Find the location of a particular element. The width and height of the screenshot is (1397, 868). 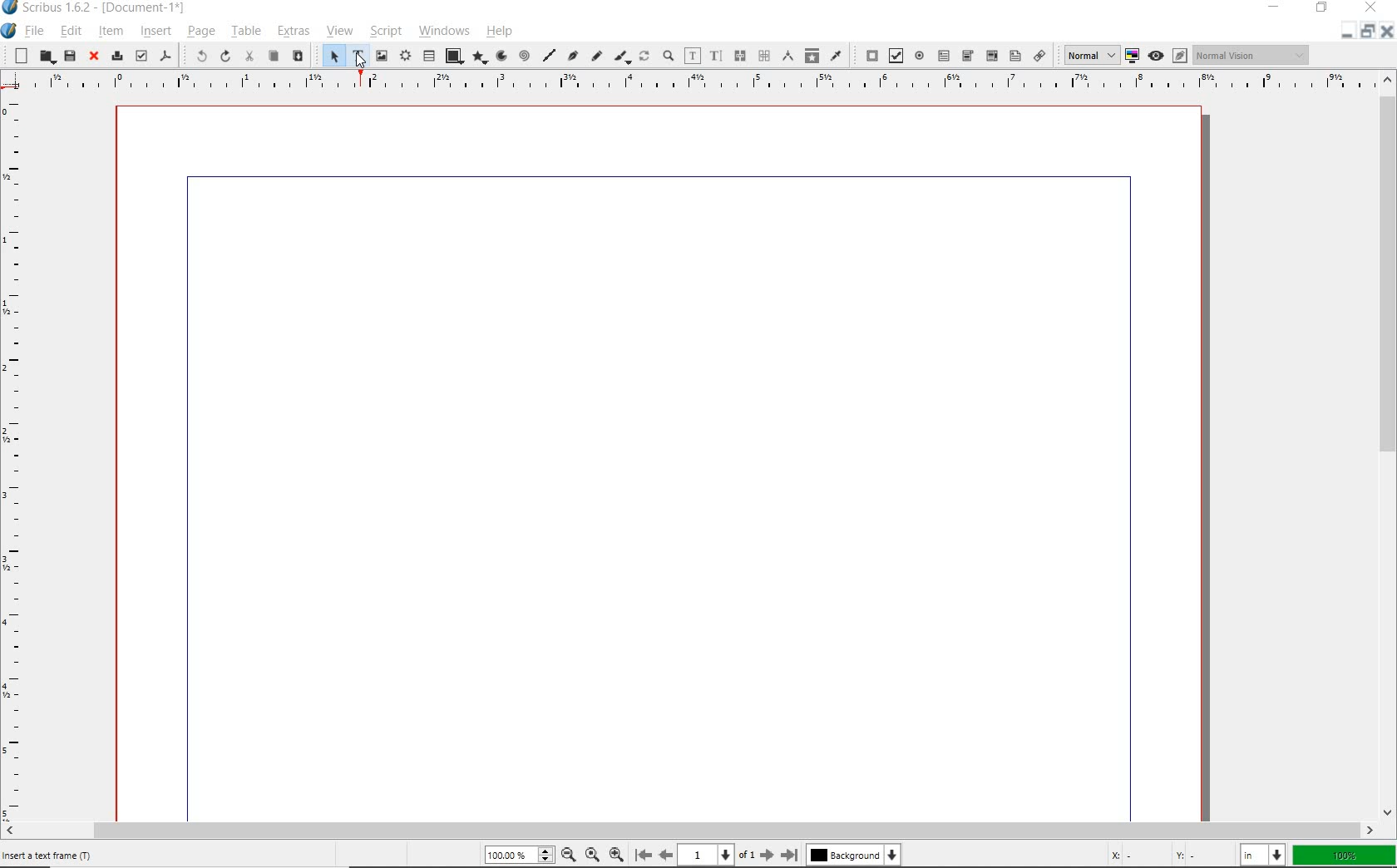

script is located at coordinates (385, 30).